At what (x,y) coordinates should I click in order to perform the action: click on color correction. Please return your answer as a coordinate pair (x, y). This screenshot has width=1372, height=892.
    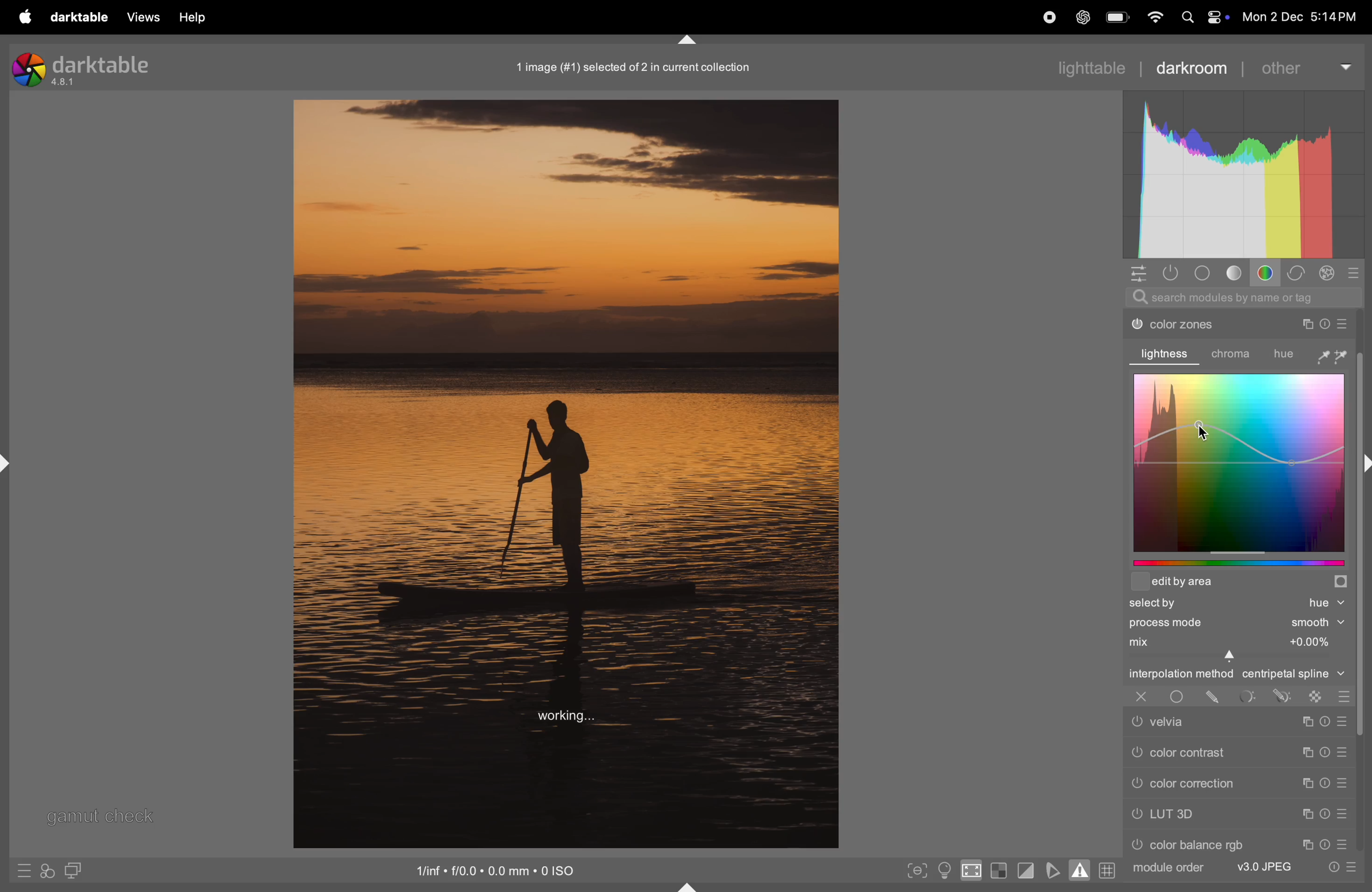
    Looking at the image, I should click on (1203, 783).